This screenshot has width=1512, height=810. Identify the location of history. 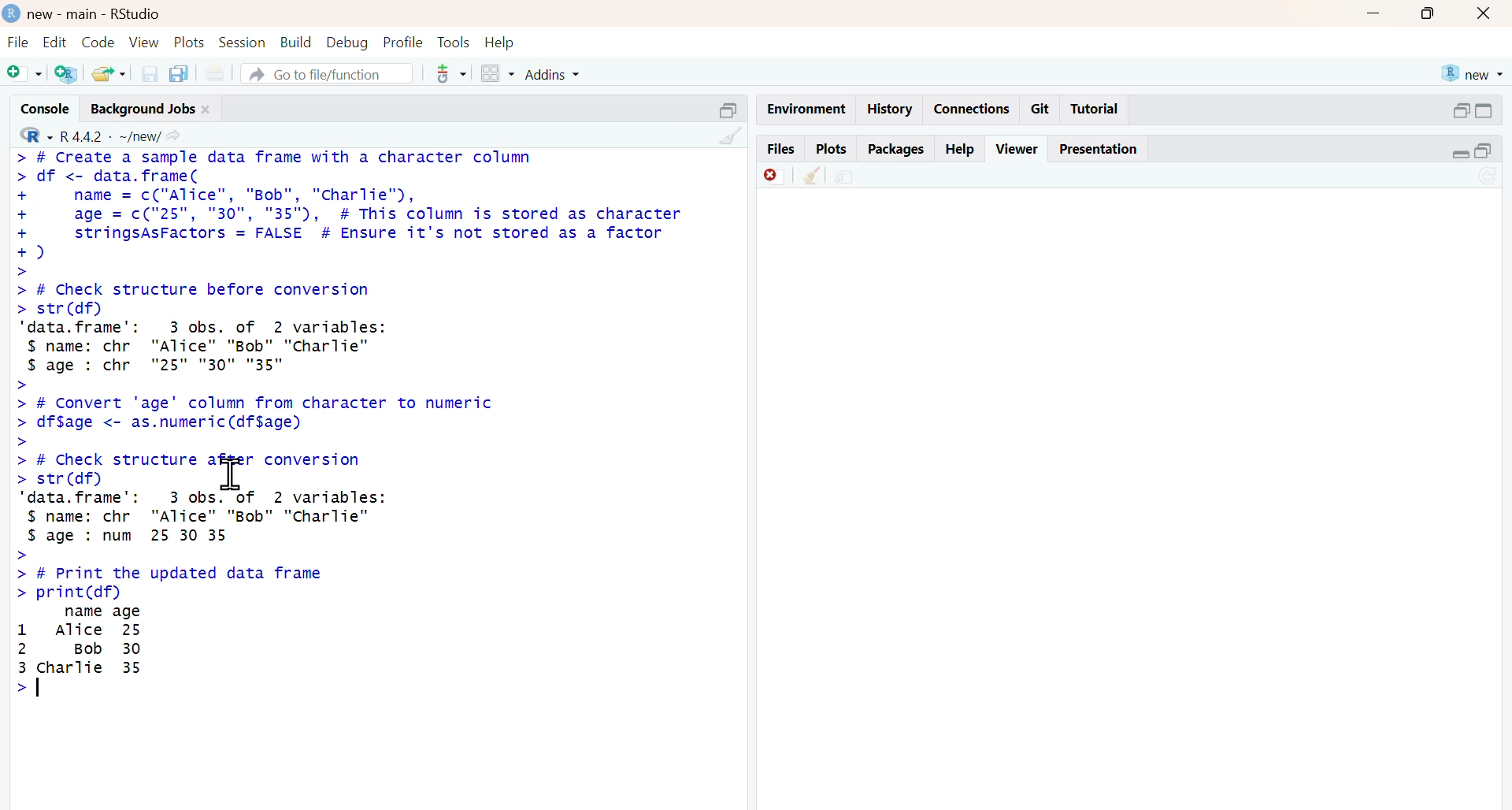
(891, 110).